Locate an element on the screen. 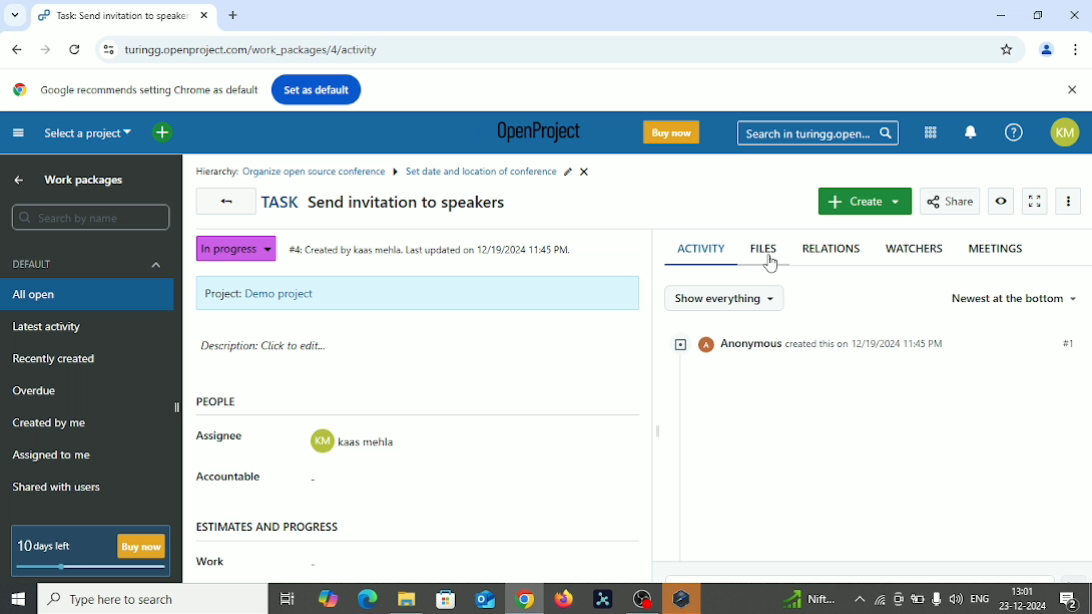 Image resolution: width=1092 pixels, height=614 pixels. Share is located at coordinates (950, 200).